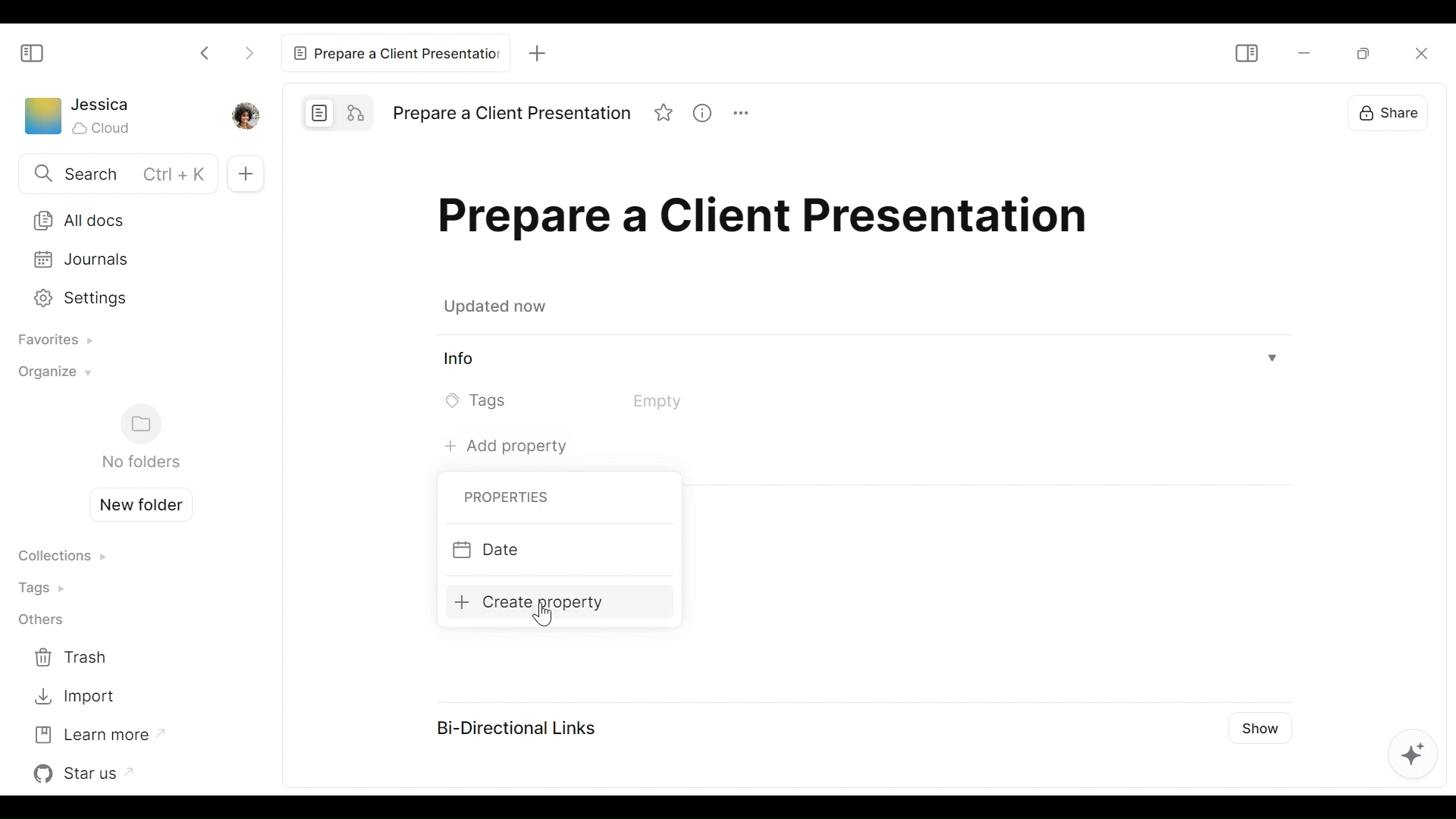 The width and height of the screenshot is (1456, 819). What do you see at coordinates (51, 376) in the screenshot?
I see `Organize` at bounding box center [51, 376].